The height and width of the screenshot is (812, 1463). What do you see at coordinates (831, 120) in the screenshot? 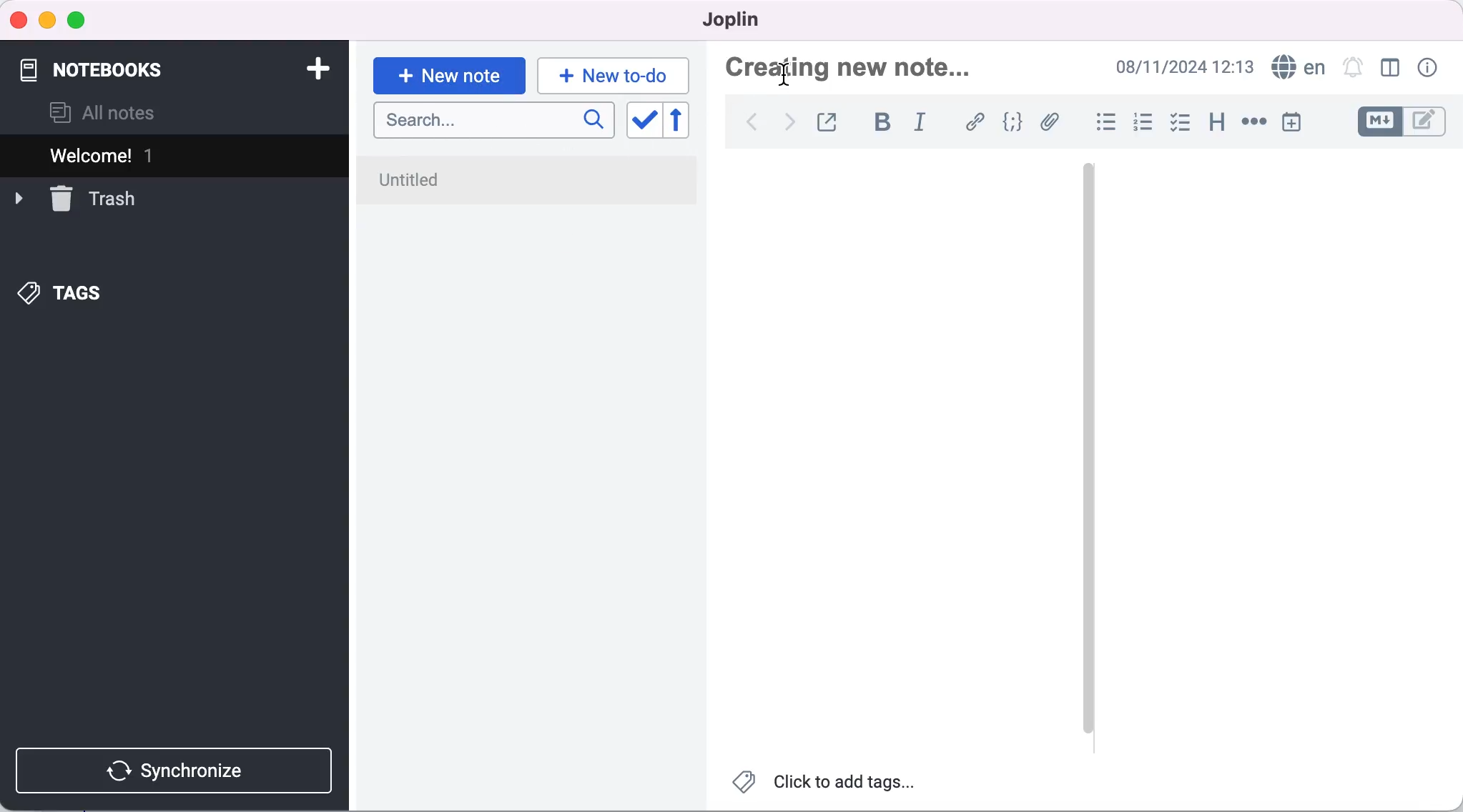
I see `toggle external editing` at bounding box center [831, 120].